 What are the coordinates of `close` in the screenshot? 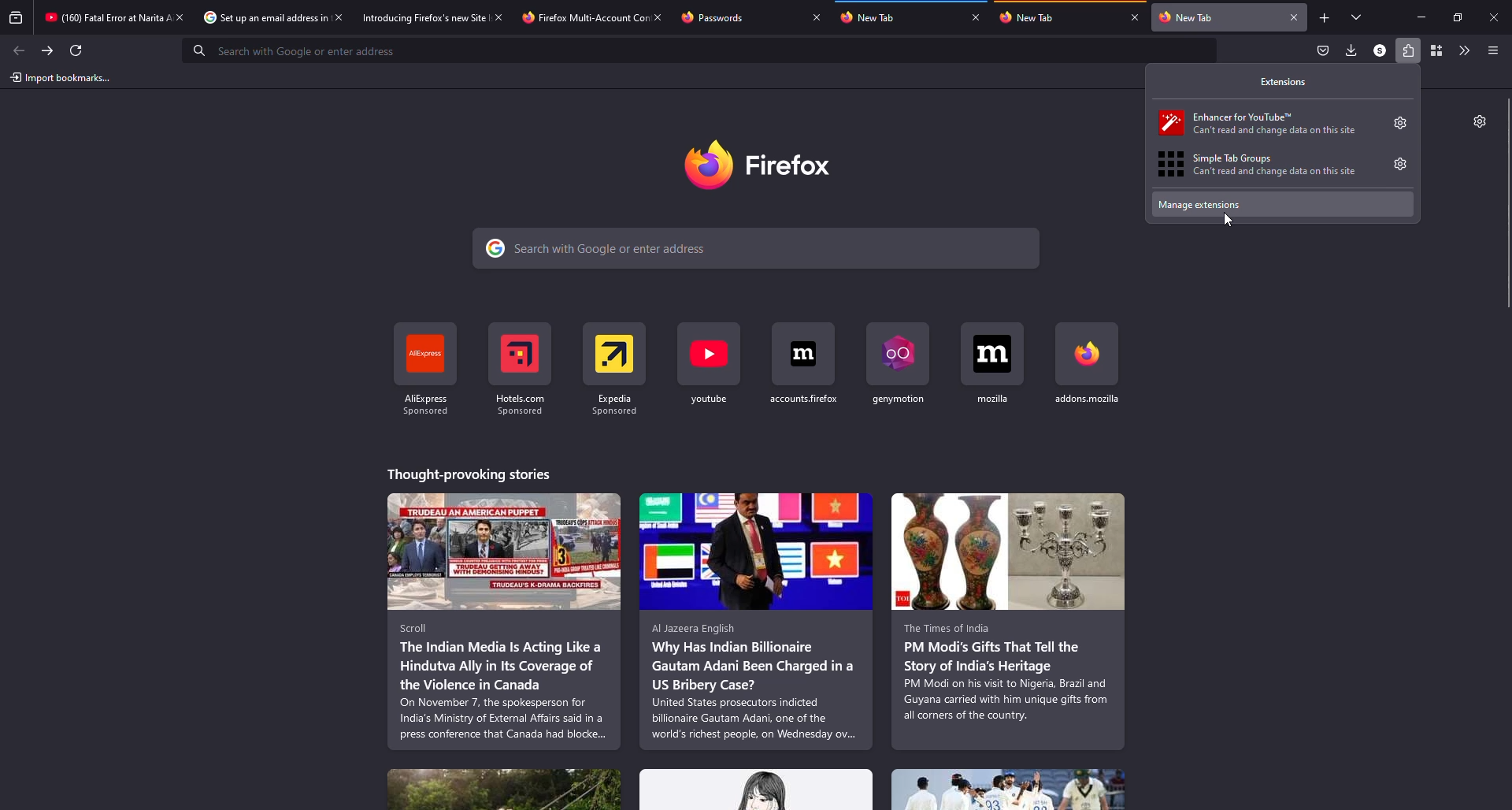 It's located at (1136, 17).